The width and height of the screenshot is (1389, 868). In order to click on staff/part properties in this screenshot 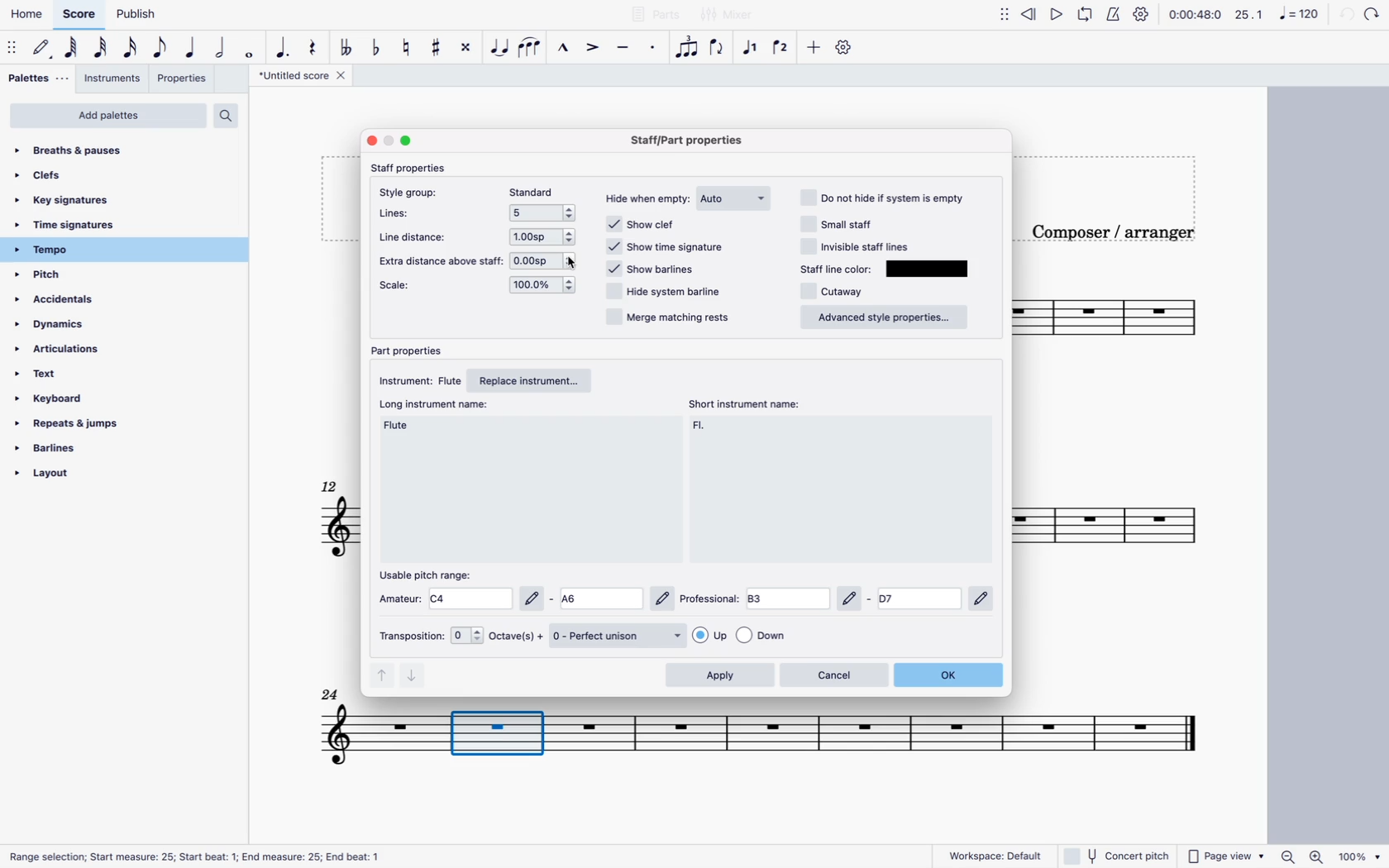, I will do `click(687, 141)`.